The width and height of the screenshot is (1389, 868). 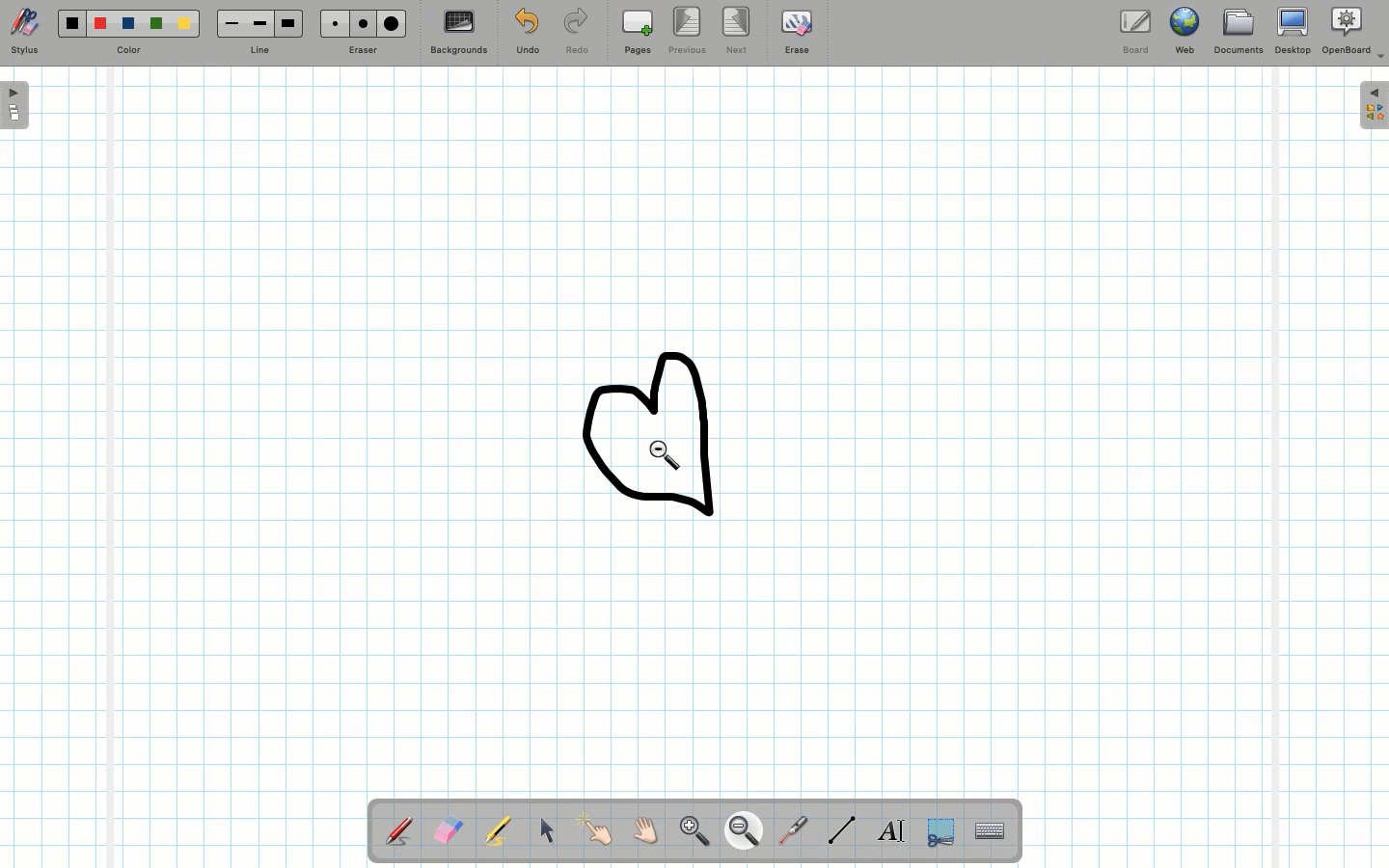 What do you see at coordinates (398, 830) in the screenshot?
I see `Stylus` at bounding box center [398, 830].